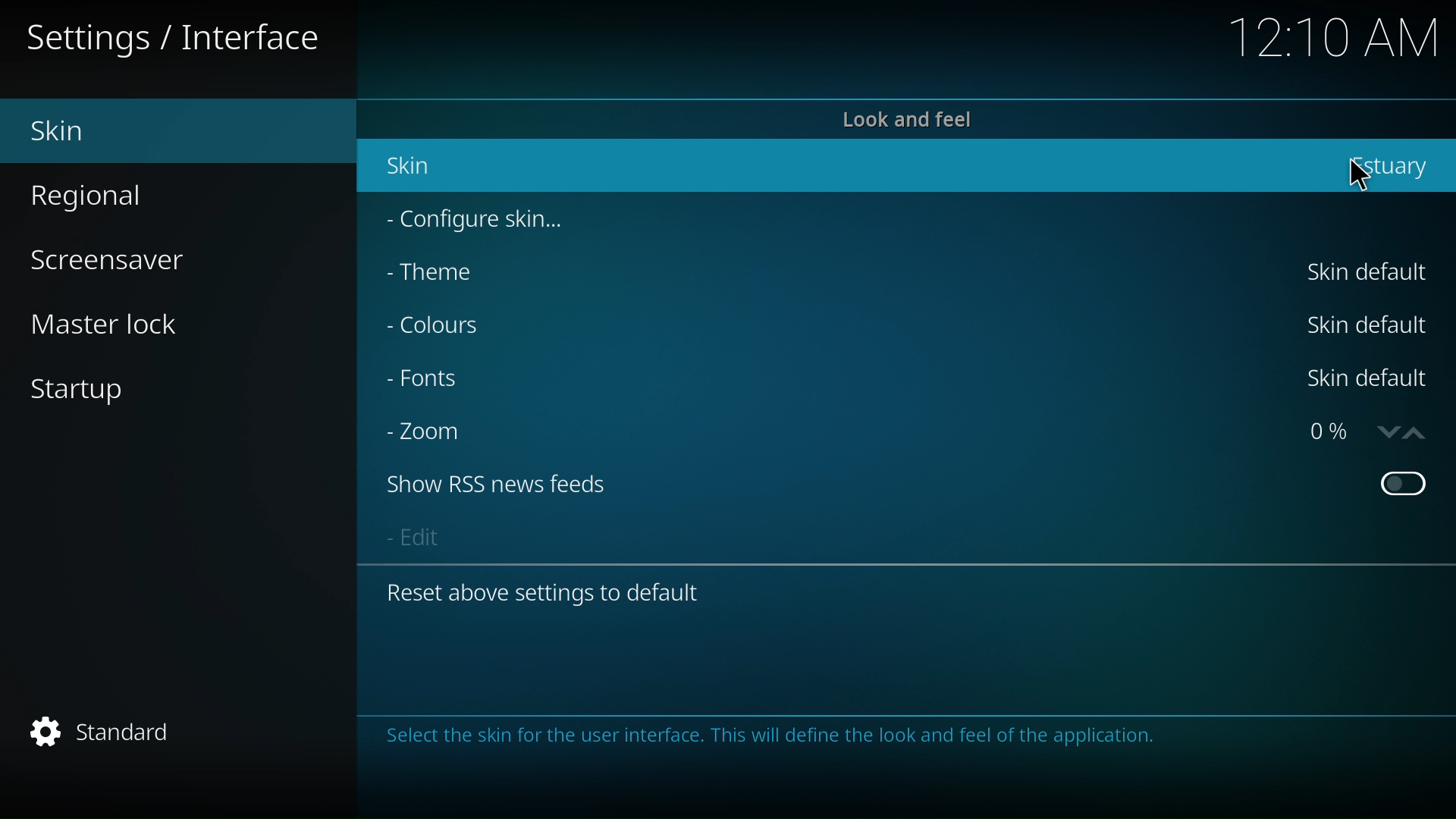  I want to click on 12:10 AM, so click(1335, 39).